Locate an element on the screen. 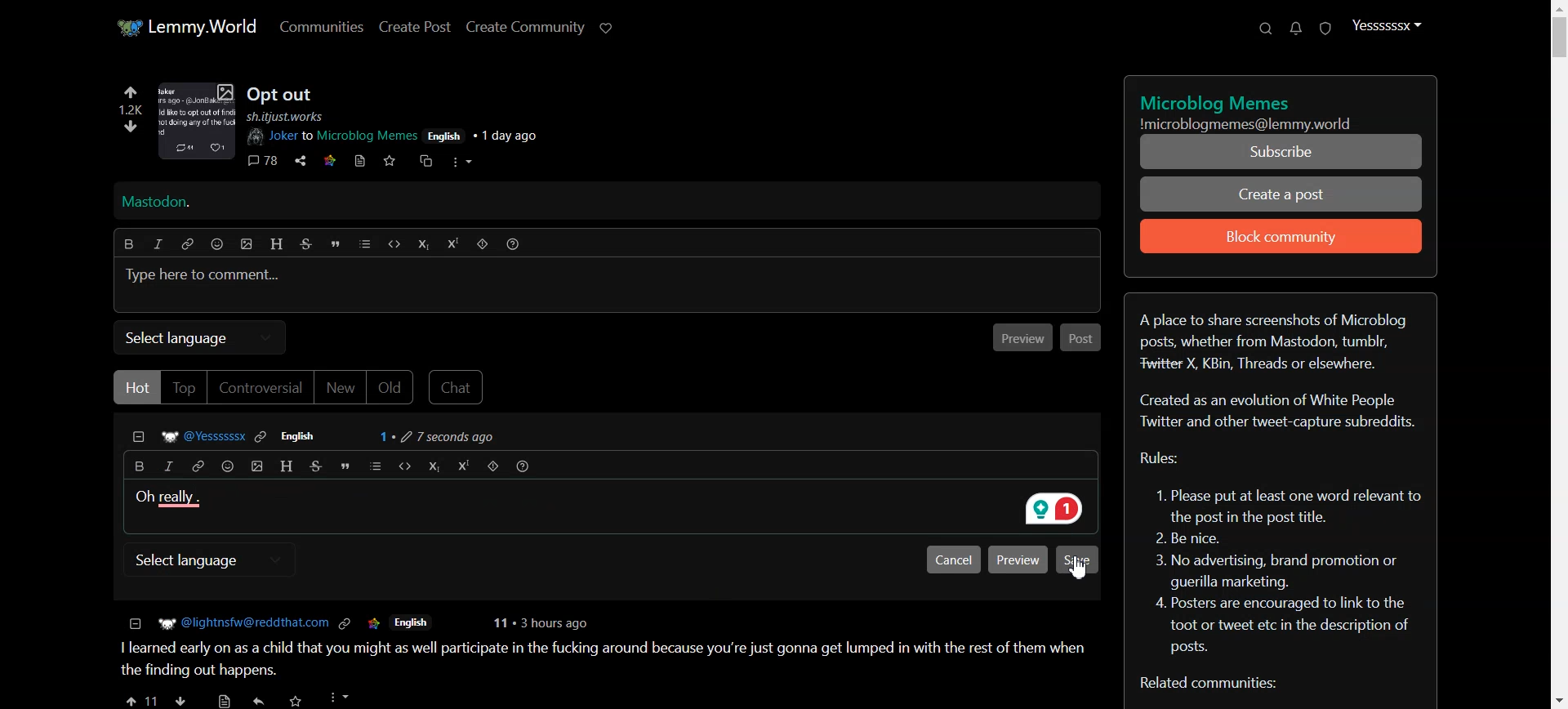  Vertical Scroll bar is located at coordinates (1557, 354).